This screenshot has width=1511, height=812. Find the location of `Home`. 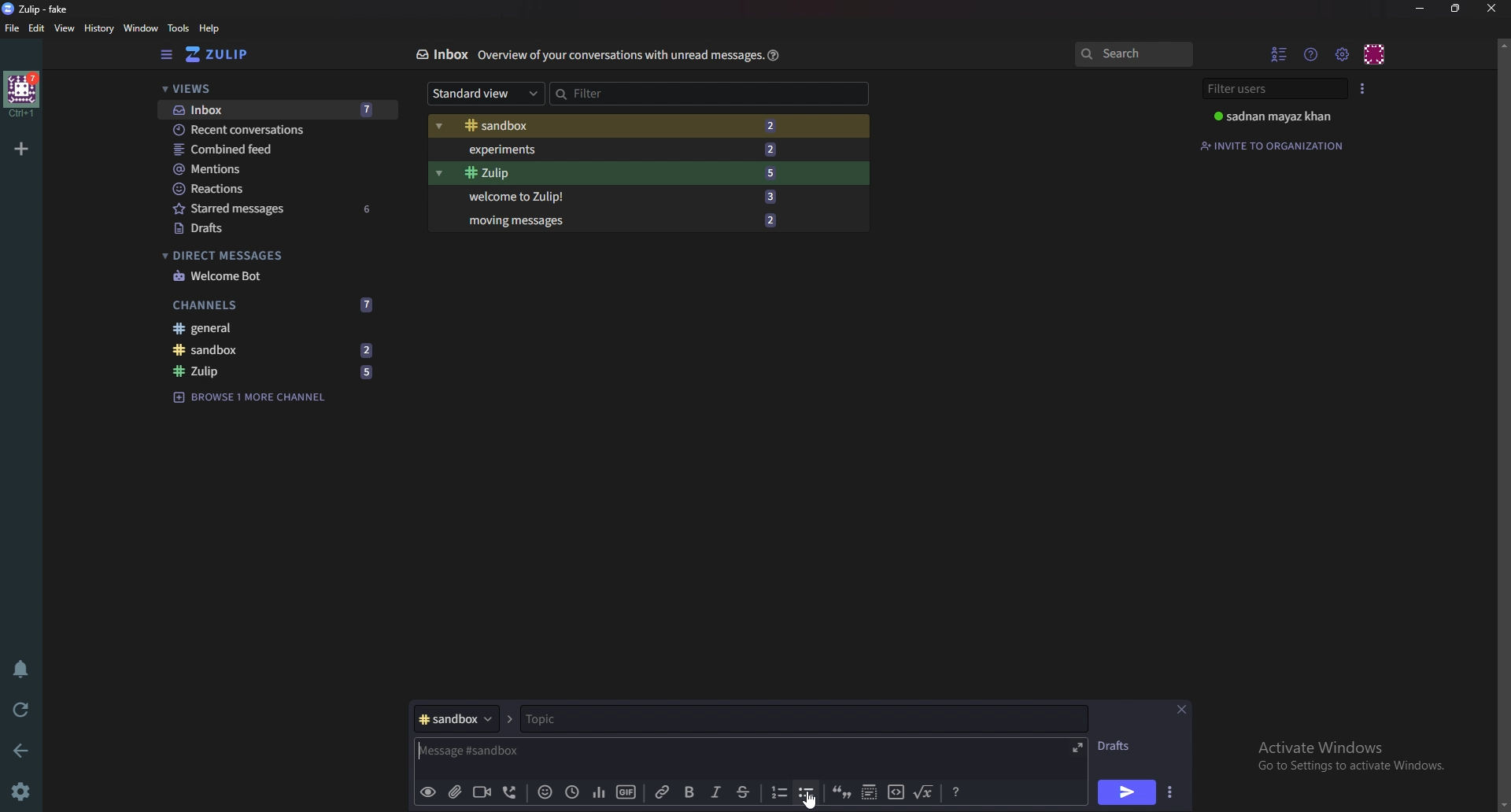

Home is located at coordinates (23, 94).